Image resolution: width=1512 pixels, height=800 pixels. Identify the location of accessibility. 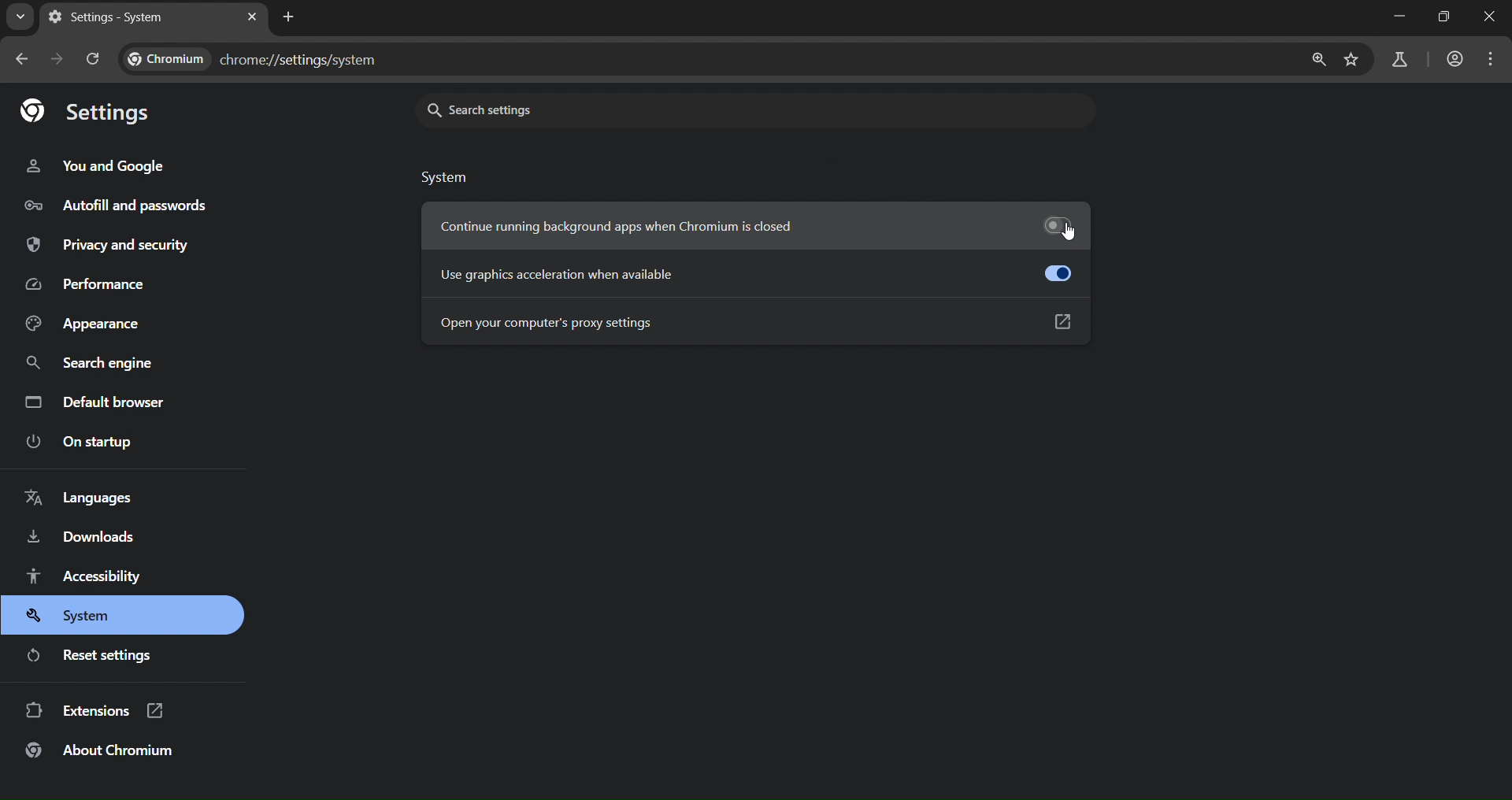
(90, 578).